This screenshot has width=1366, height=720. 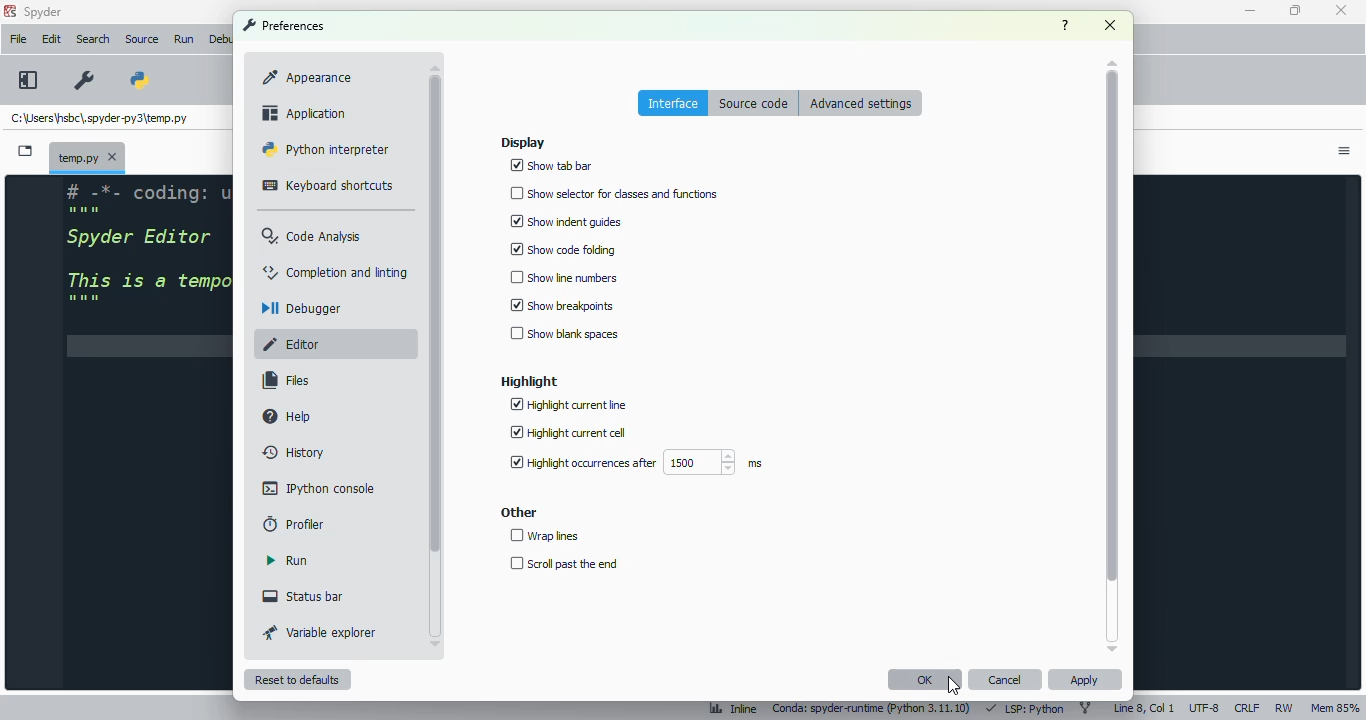 What do you see at coordinates (142, 78) in the screenshot?
I see `PYTHONPATH manager` at bounding box center [142, 78].